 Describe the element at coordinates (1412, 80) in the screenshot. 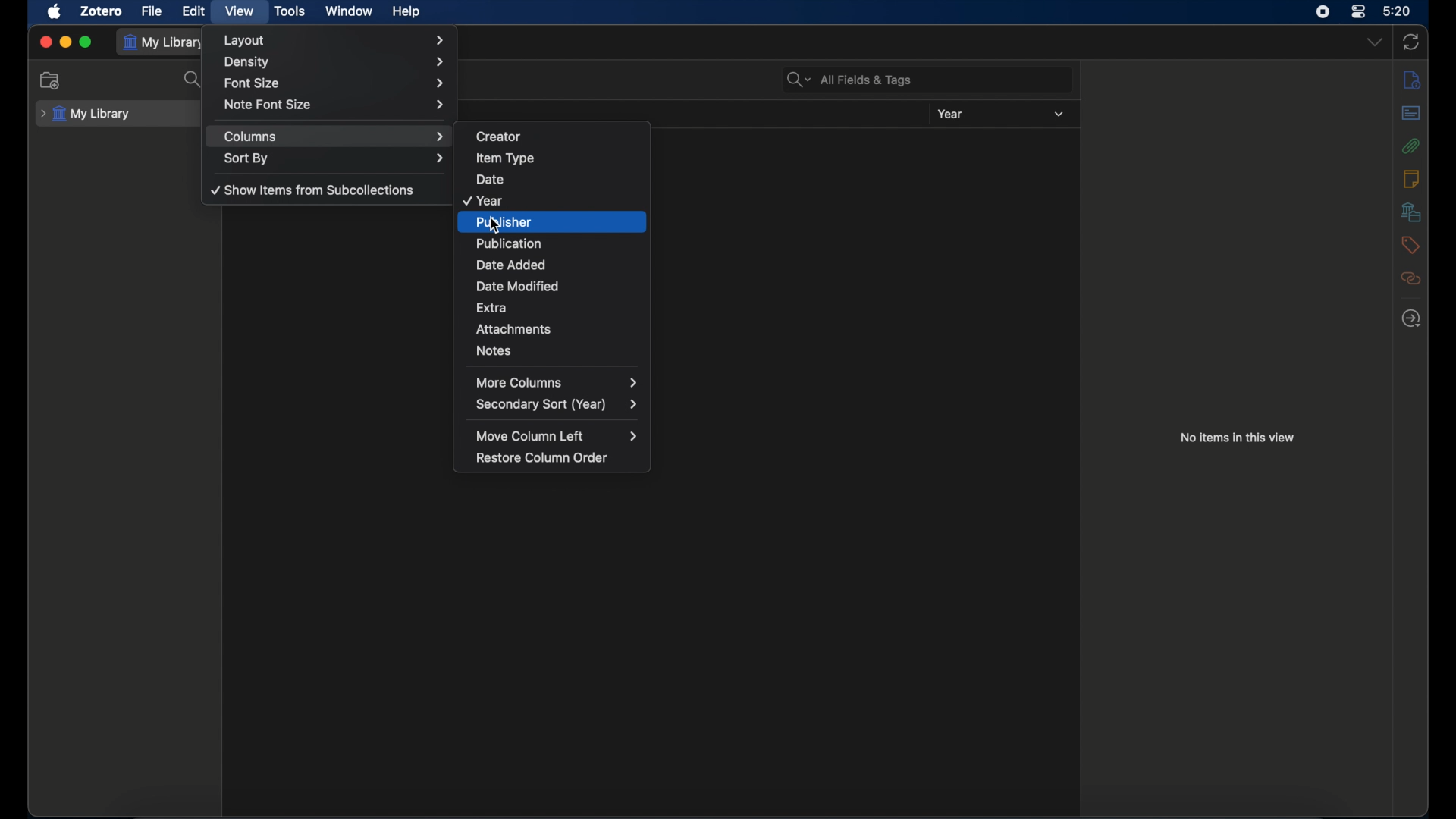

I see `info` at that location.